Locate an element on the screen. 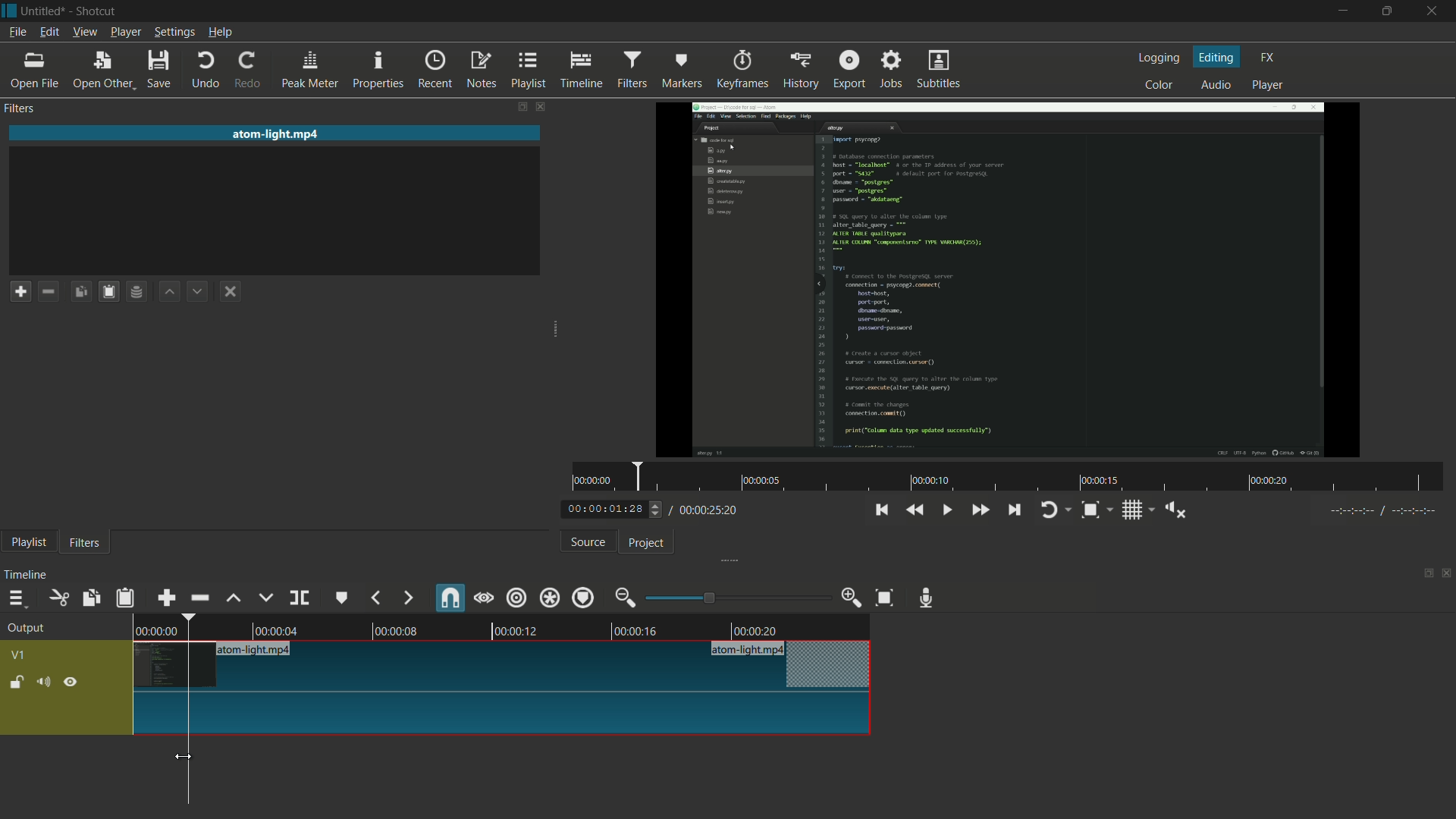 This screenshot has width=1456, height=819. remove a filter is located at coordinates (52, 290).